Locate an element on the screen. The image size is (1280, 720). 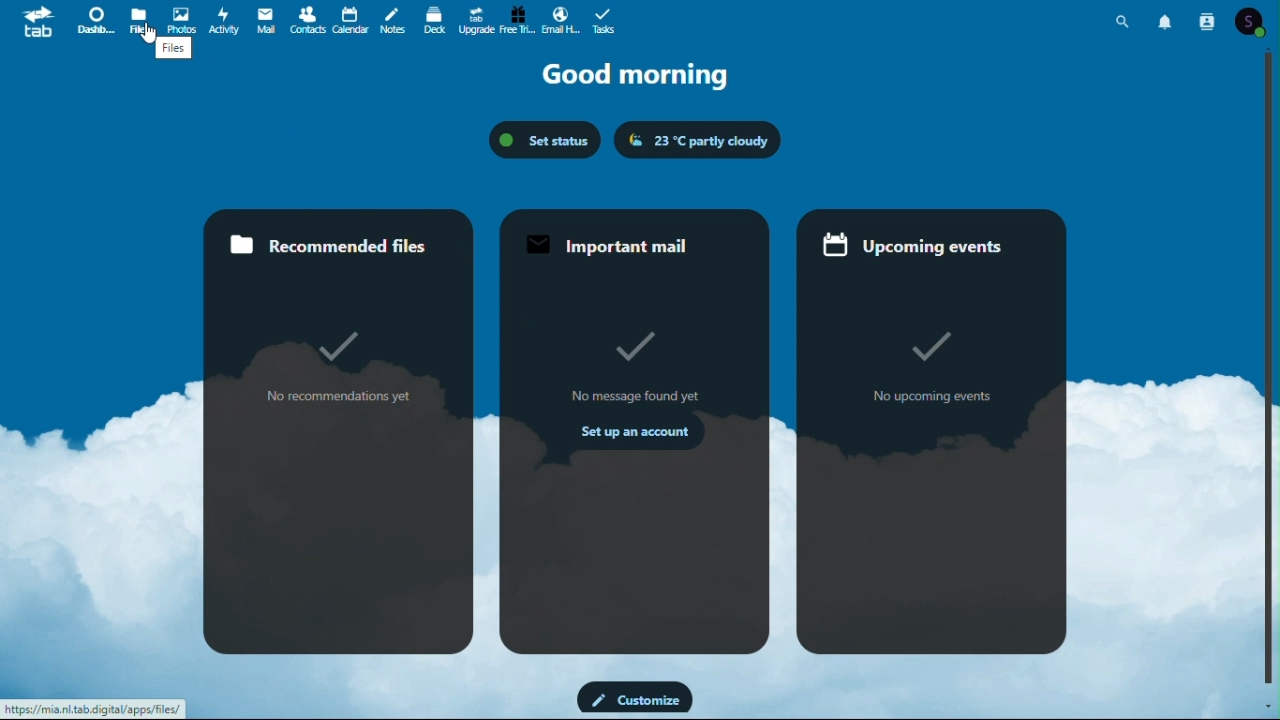
notes is located at coordinates (396, 20).